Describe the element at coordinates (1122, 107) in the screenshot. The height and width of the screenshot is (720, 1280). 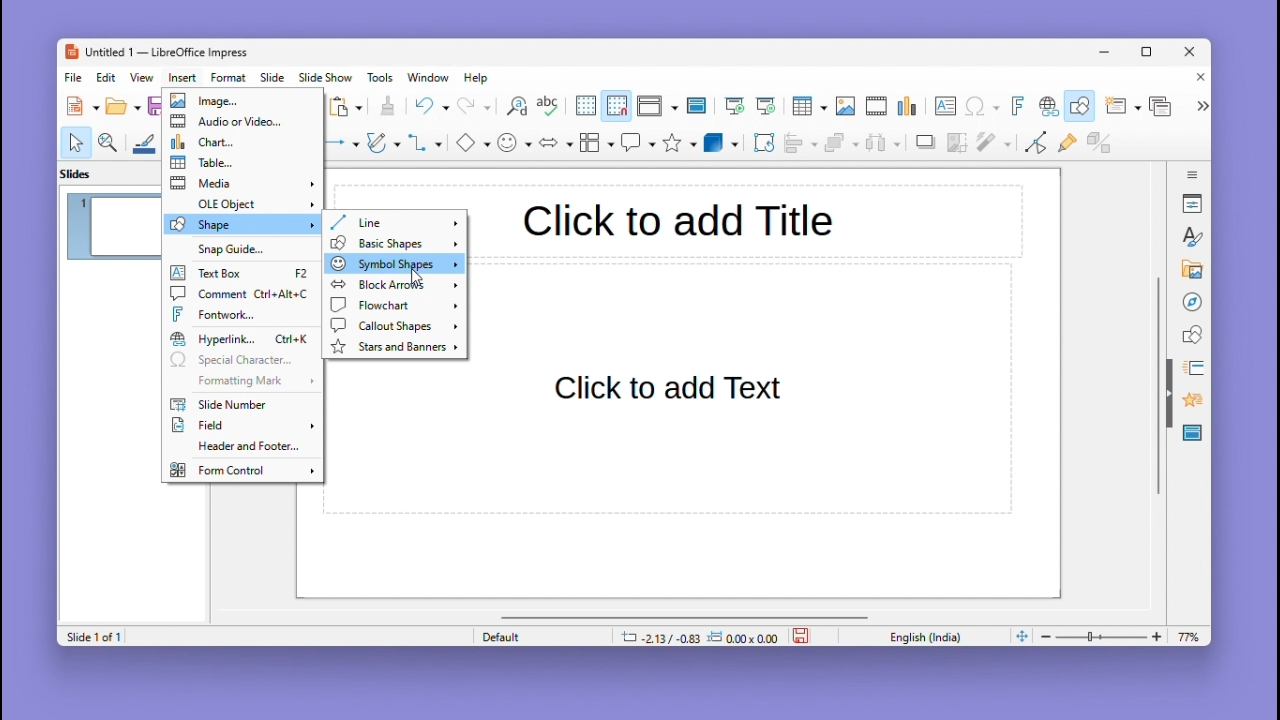
I see `New slide` at that location.